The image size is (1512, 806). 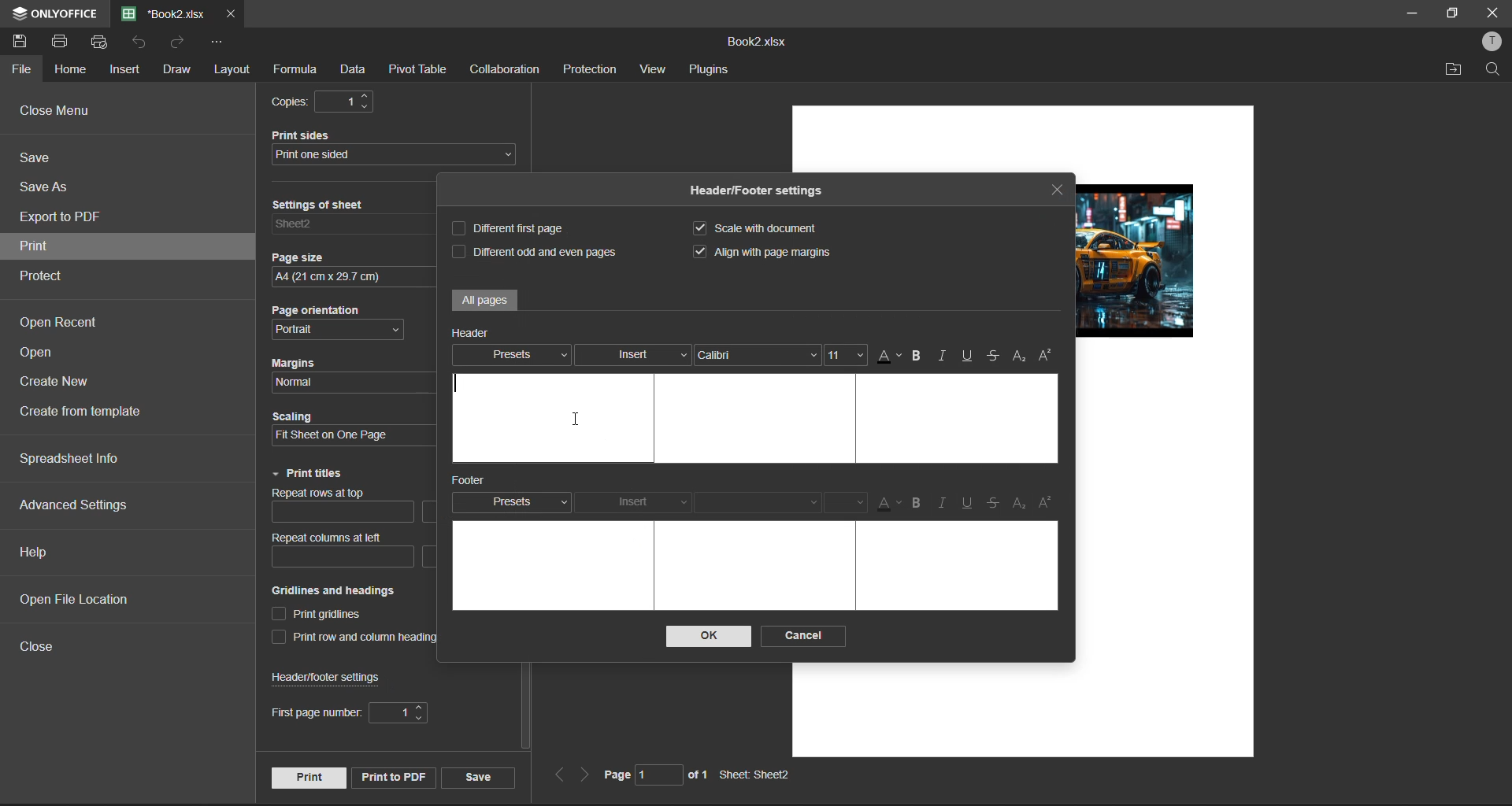 What do you see at coordinates (1058, 192) in the screenshot?
I see `close tab` at bounding box center [1058, 192].